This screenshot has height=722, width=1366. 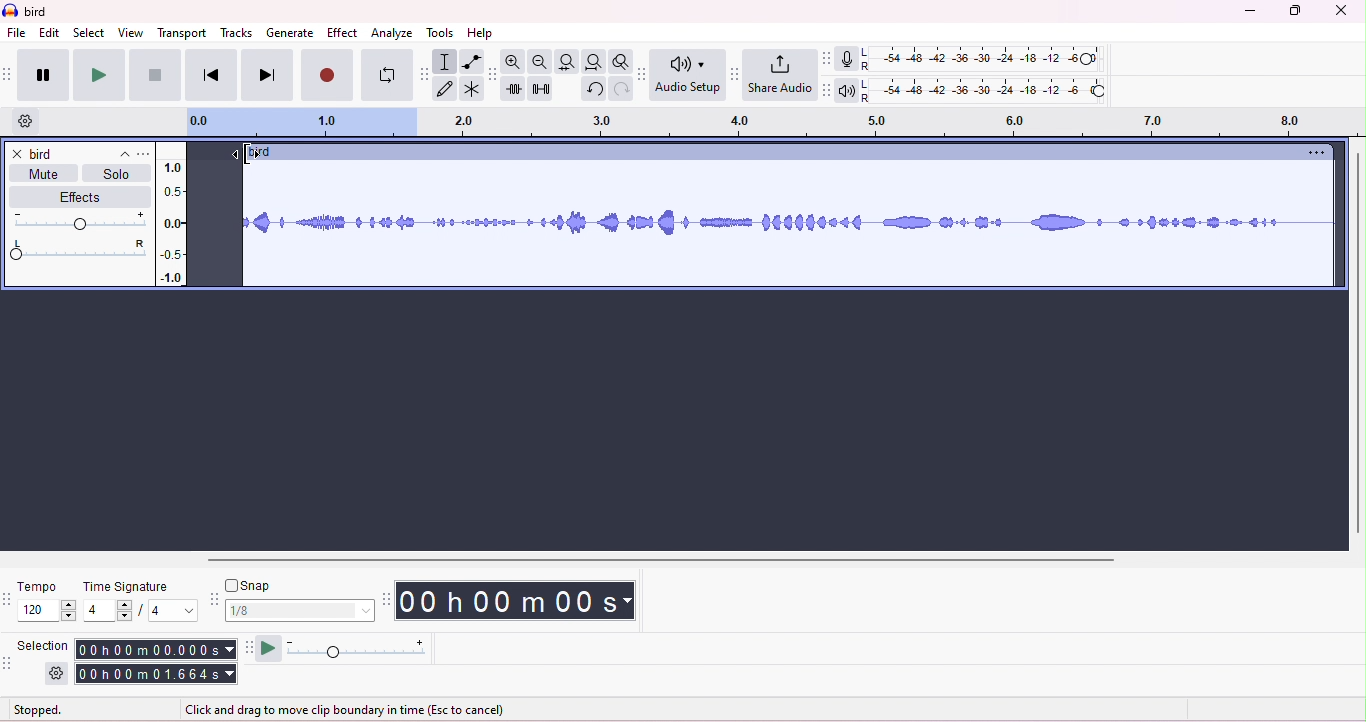 I want to click on record meter, so click(x=845, y=59).